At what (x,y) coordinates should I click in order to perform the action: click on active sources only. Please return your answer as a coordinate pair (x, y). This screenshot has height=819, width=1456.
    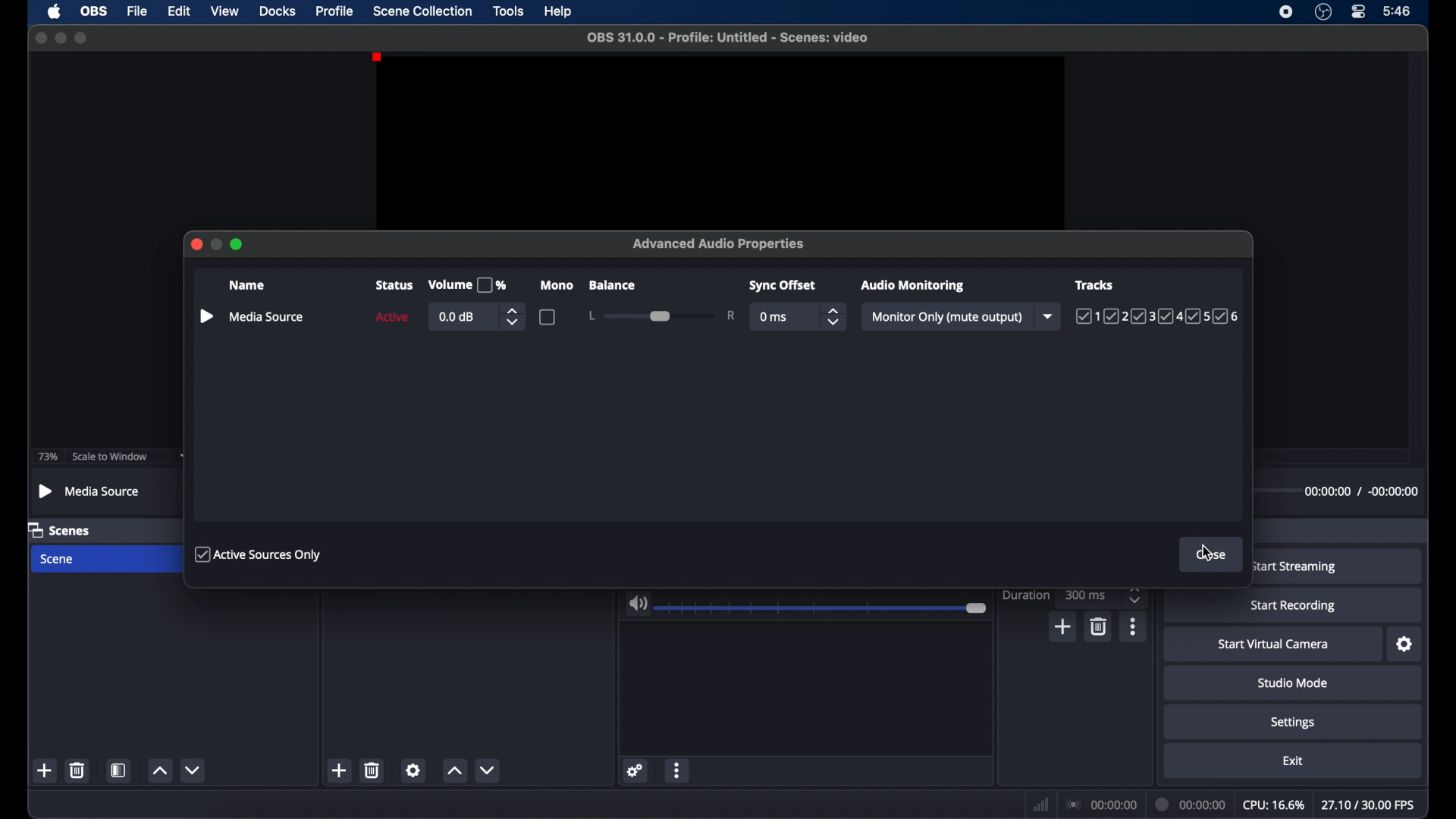
    Looking at the image, I should click on (259, 554).